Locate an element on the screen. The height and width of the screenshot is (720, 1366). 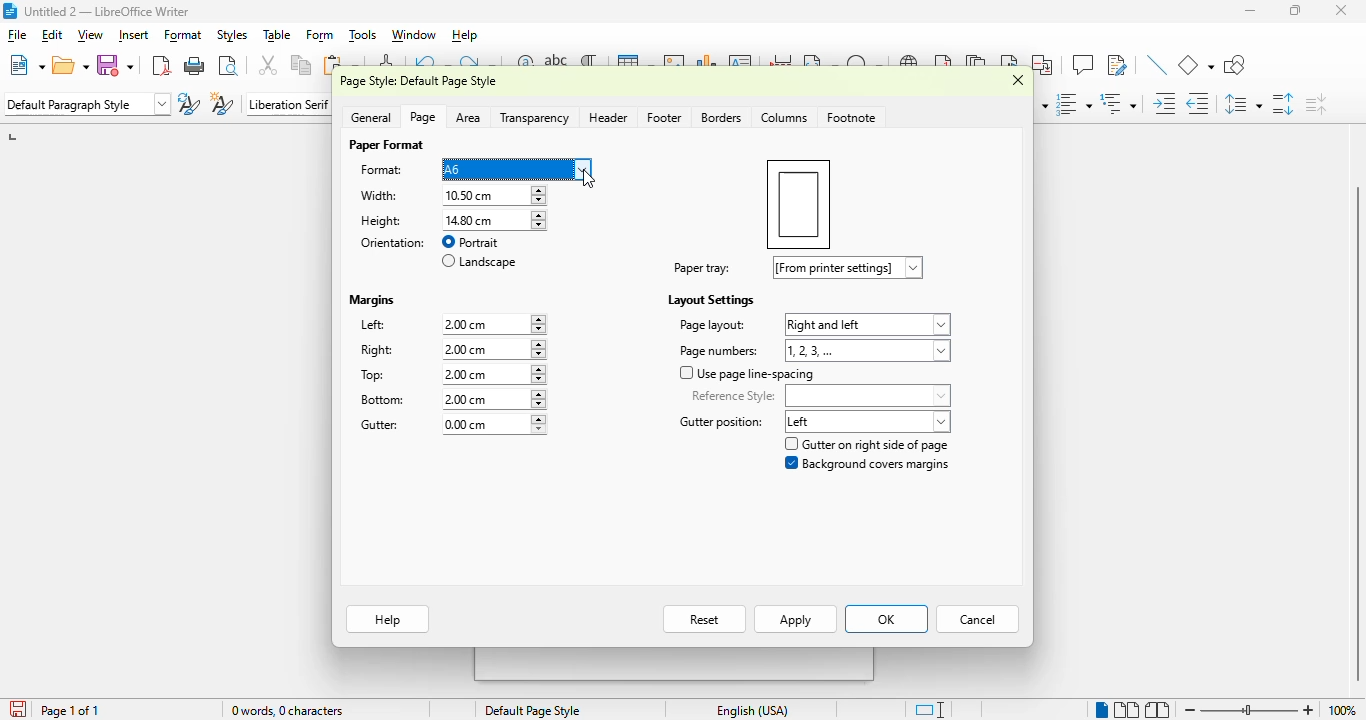
format: A6 is located at coordinates (472, 170).